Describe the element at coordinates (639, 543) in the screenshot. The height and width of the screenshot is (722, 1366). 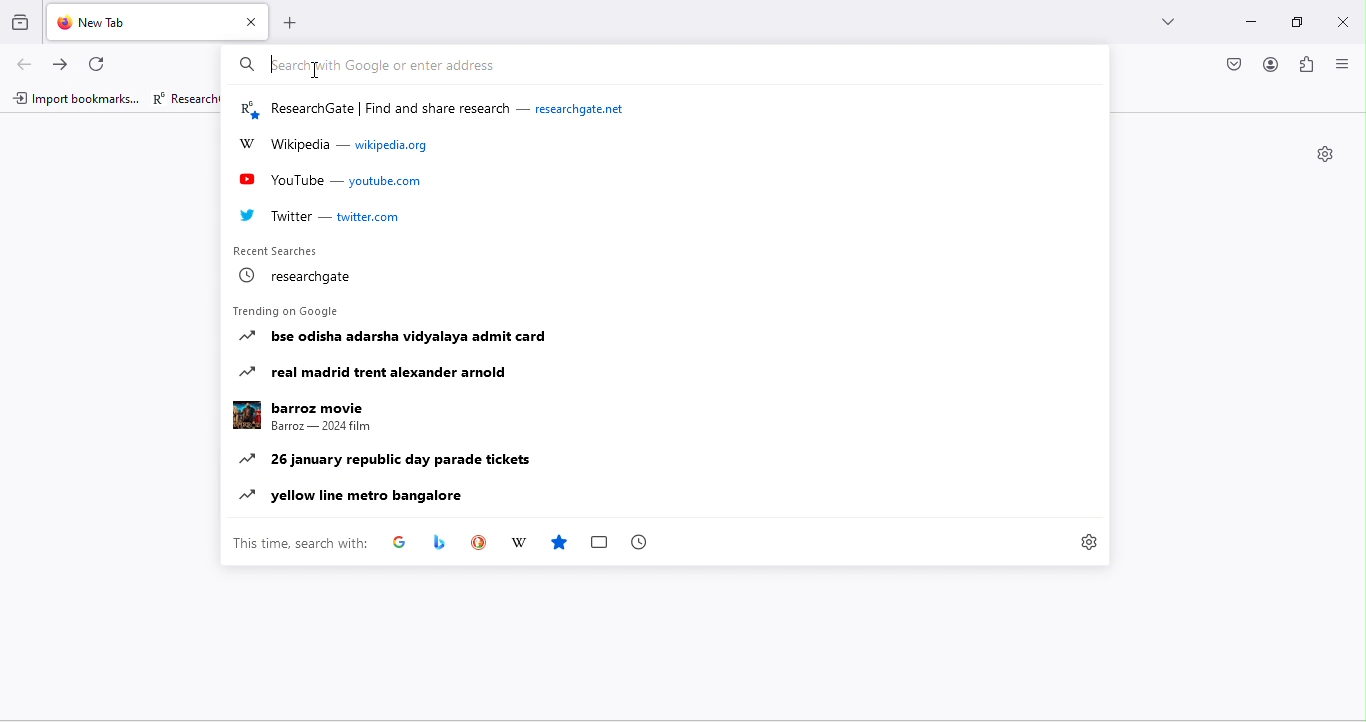
I see `time` at that location.